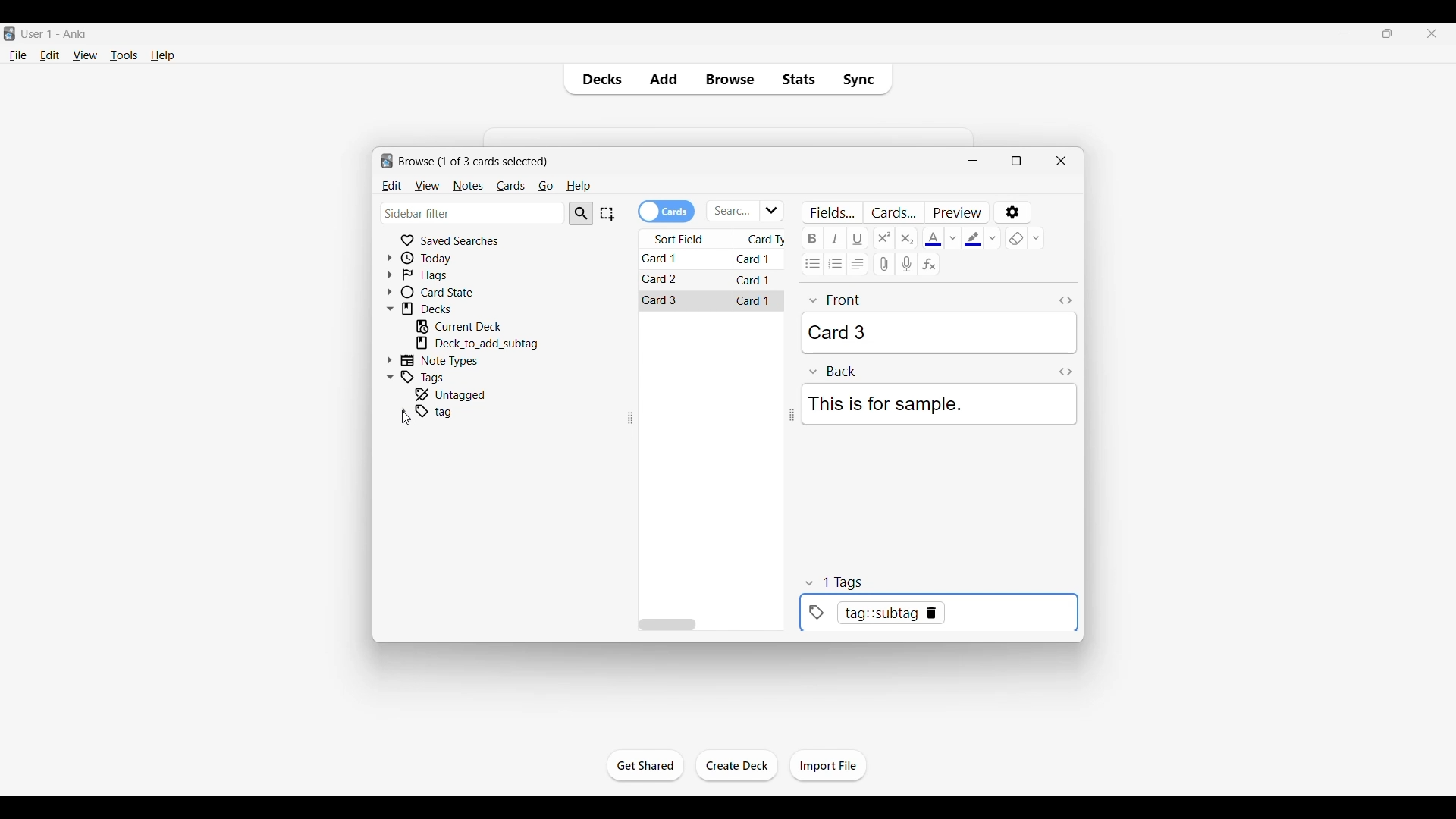 The image size is (1456, 819). Describe the element at coordinates (939, 333) in the screenshot. I see `Card 3` at that location.